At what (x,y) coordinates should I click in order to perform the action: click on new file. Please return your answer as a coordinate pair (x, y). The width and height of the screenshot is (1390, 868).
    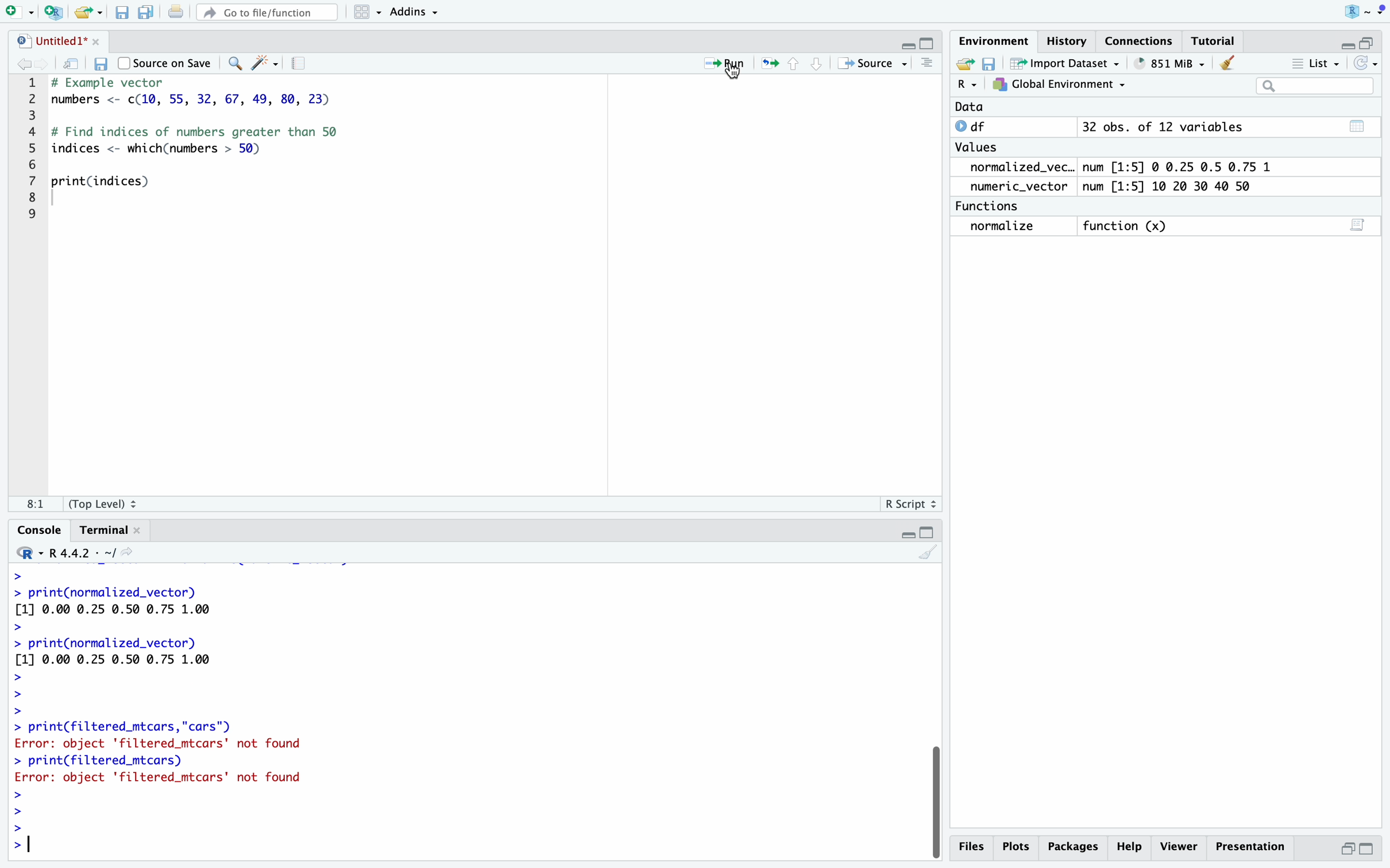
    Looking at the image, I should click on (17, 12).